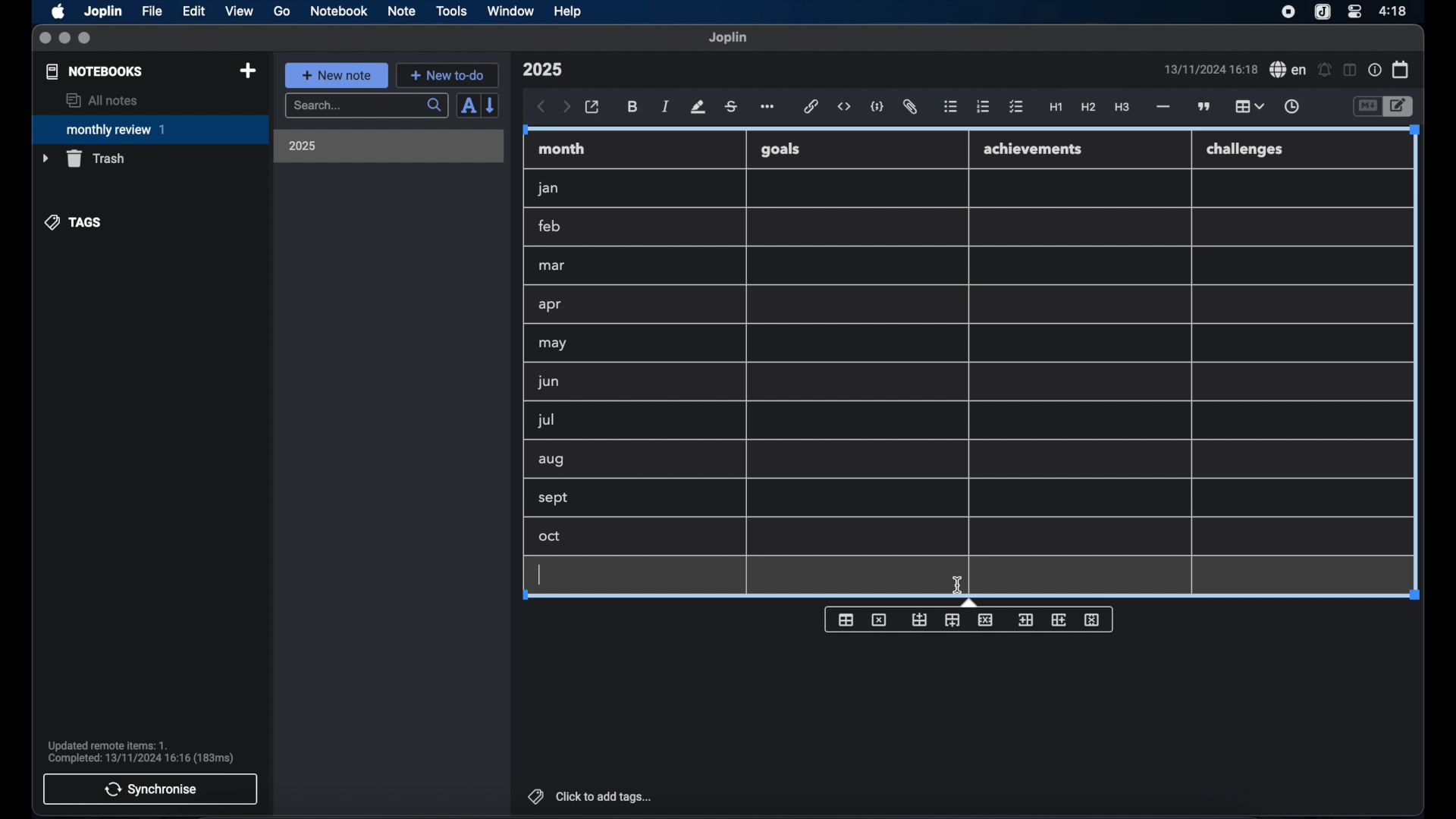 The width and height of the screenshot is (1456, 819). Describe the element at coordinates (551, 538) in the screenshot. I see `oct` at that location.